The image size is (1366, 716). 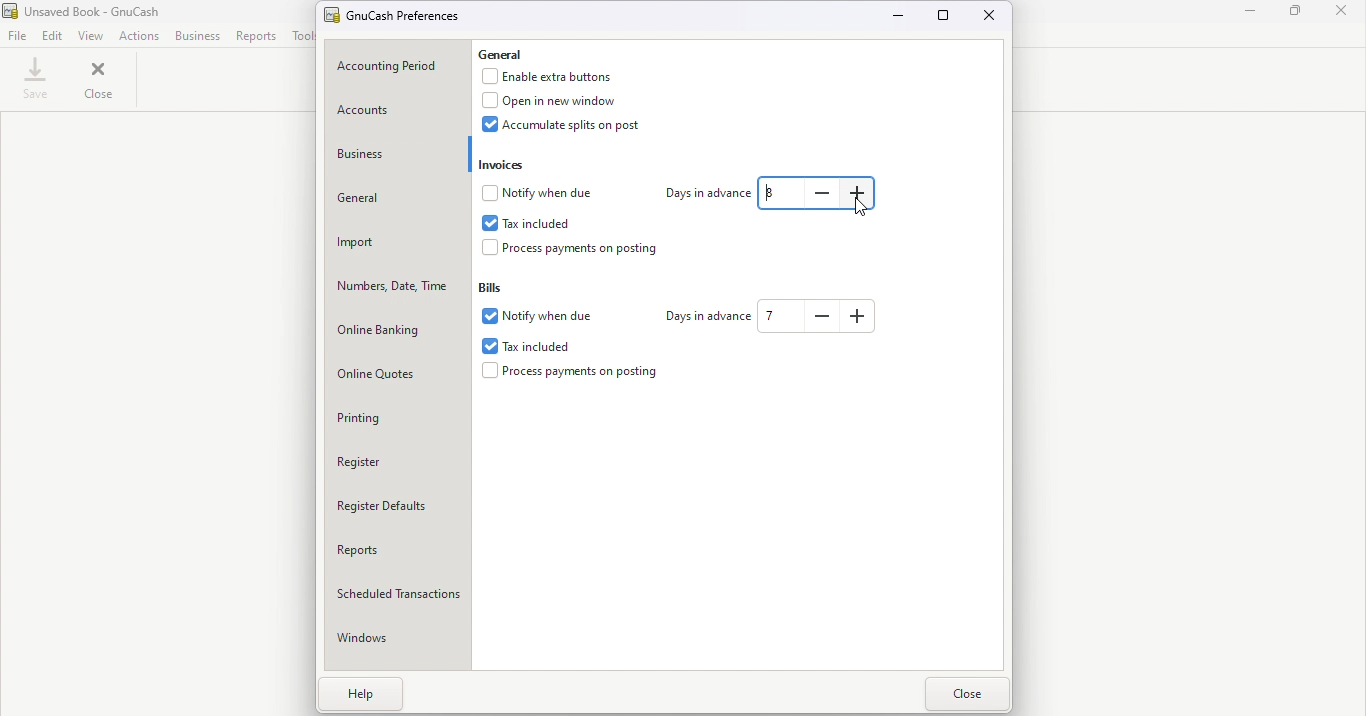 I want to click on General, so click(x=513, y=55).